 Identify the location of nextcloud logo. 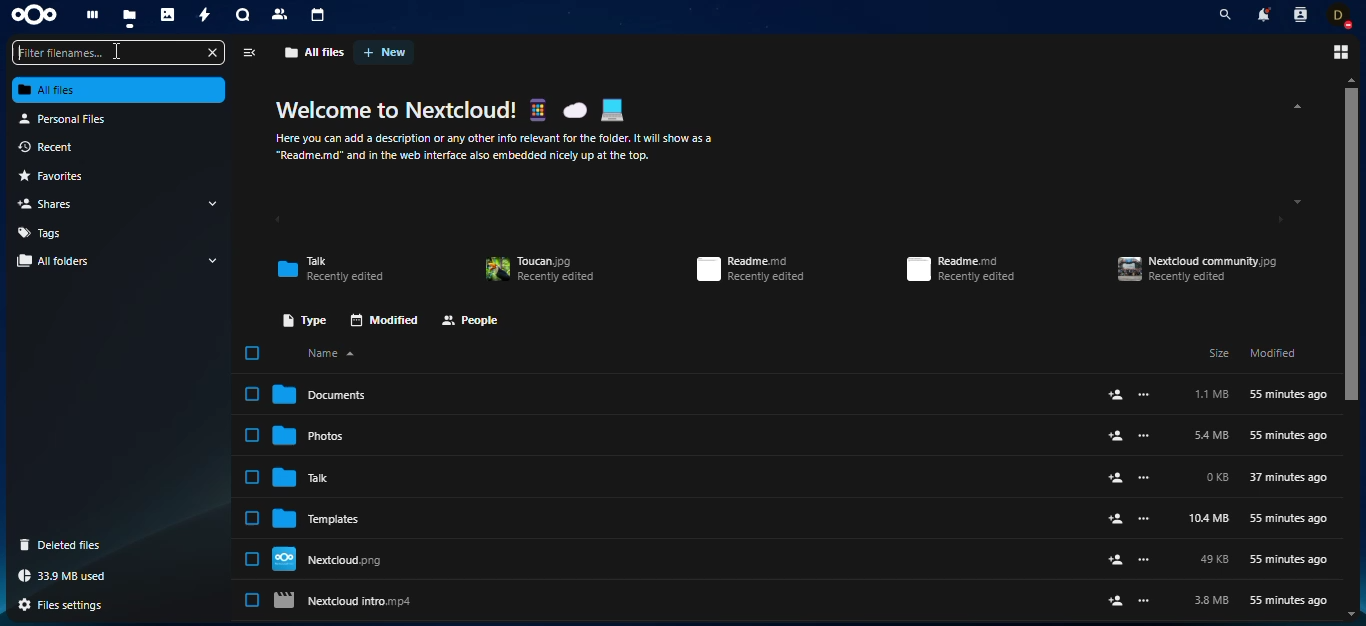
(34, 16).